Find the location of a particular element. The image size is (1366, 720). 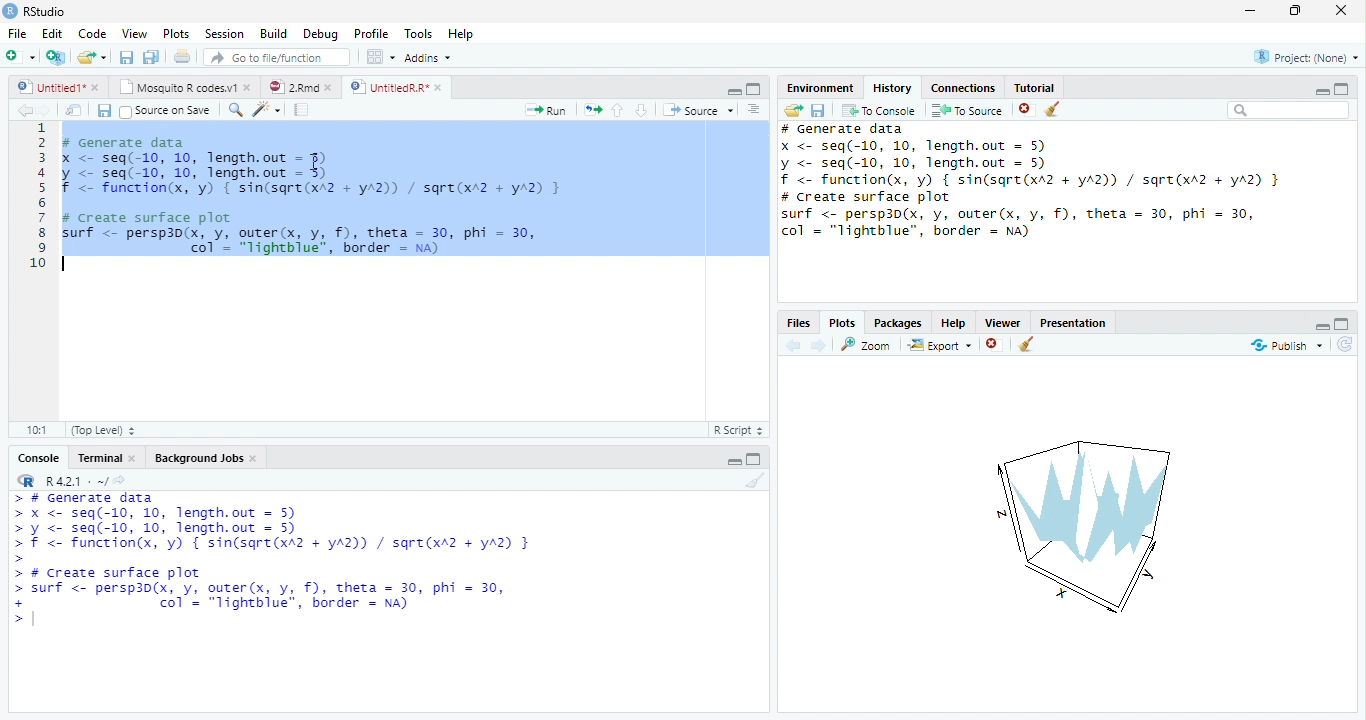

Go back to previous source location is located at coordinates (24, 110).